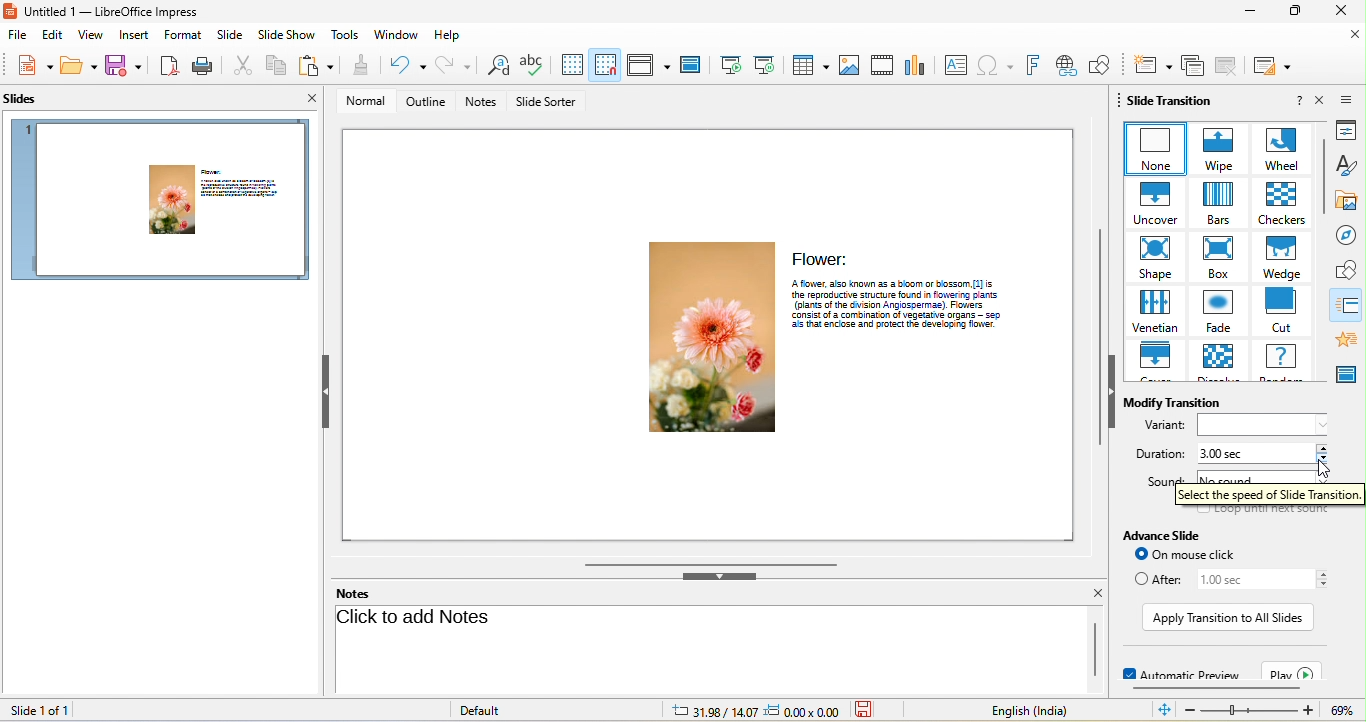  I want to click on sound, so click(1162, 480).